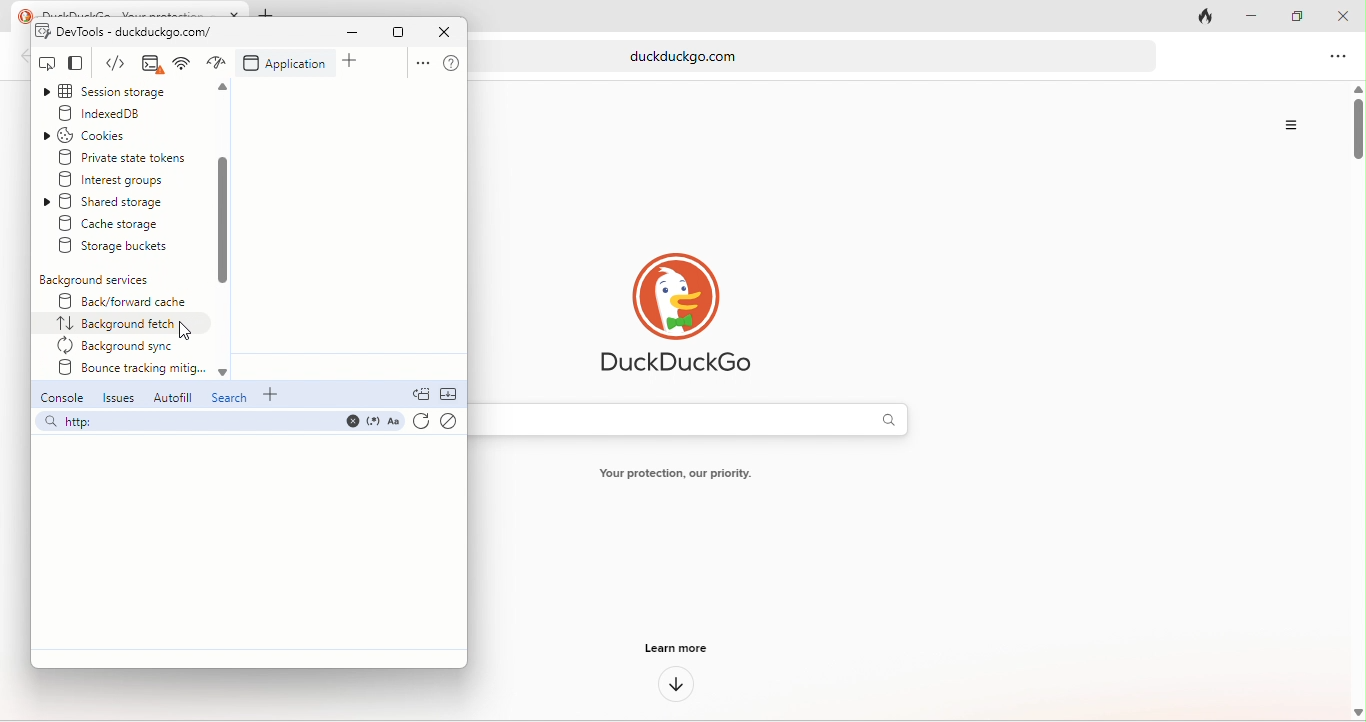 The height and width of the screenshot is (722, 1366). I want to click on back/forward cache, so click(117, 301).